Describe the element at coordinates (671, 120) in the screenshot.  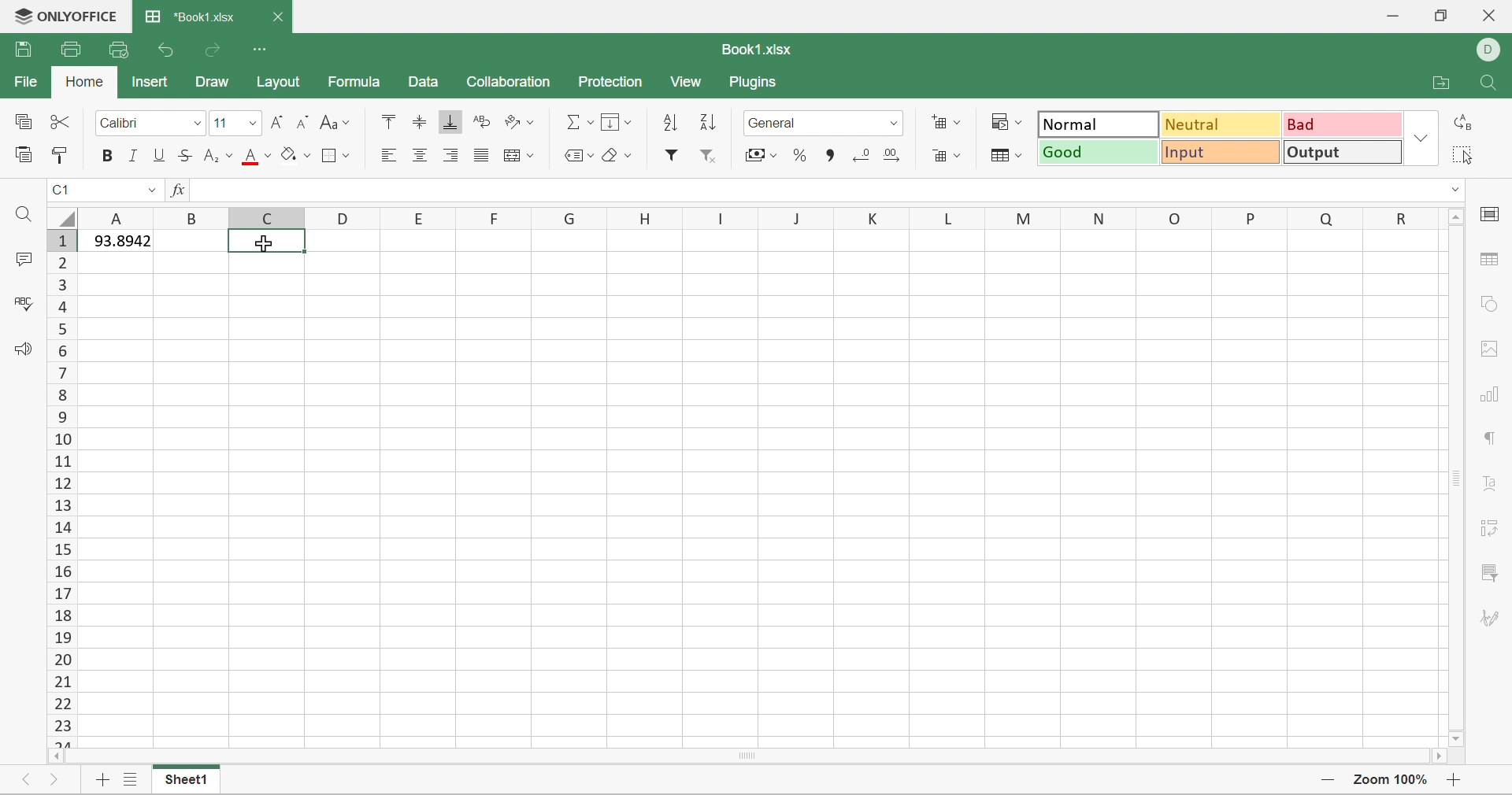
I see `Ascending order` at that location.